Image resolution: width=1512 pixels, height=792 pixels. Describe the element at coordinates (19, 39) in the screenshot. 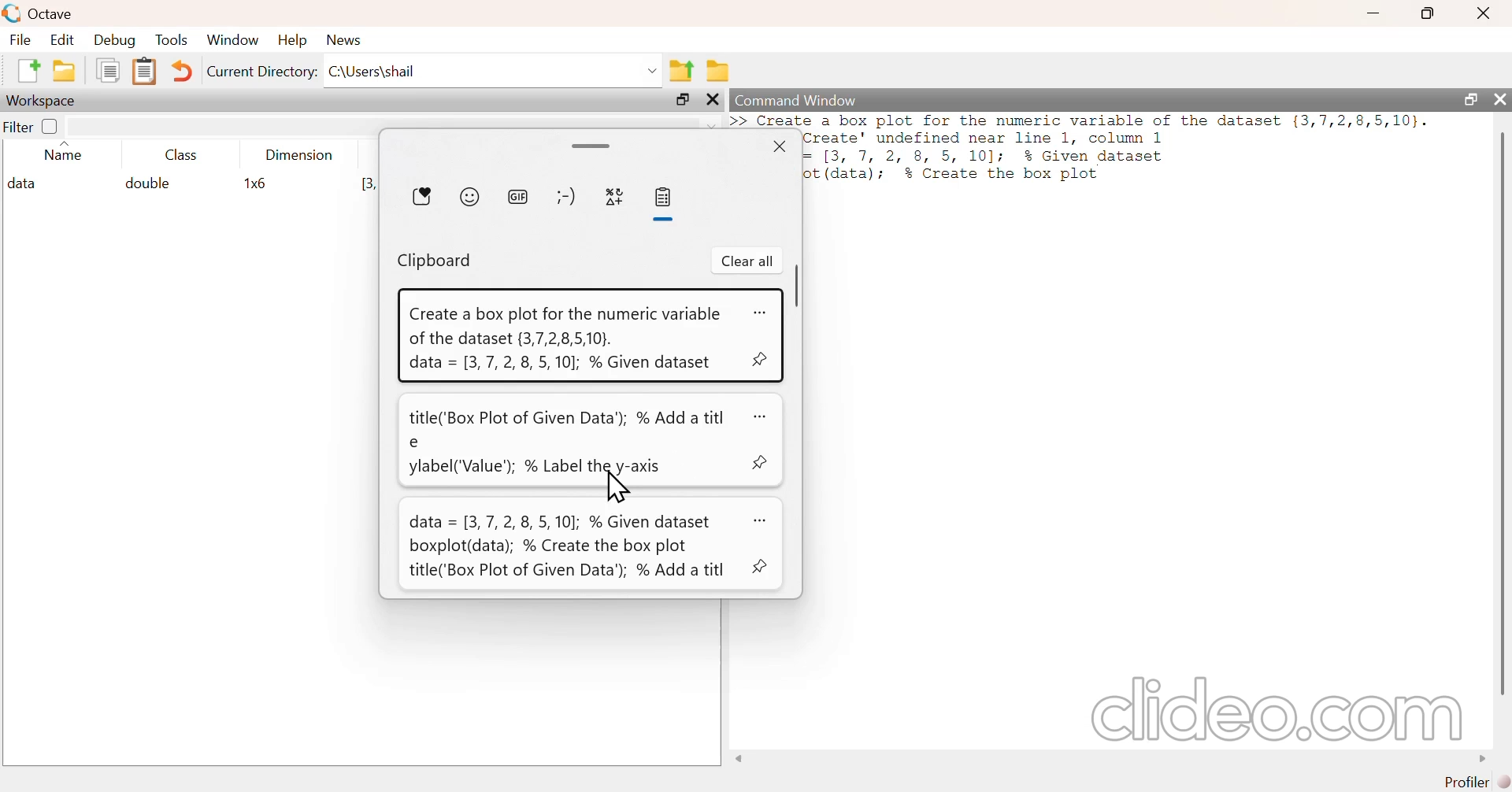

I see `file` at that location.